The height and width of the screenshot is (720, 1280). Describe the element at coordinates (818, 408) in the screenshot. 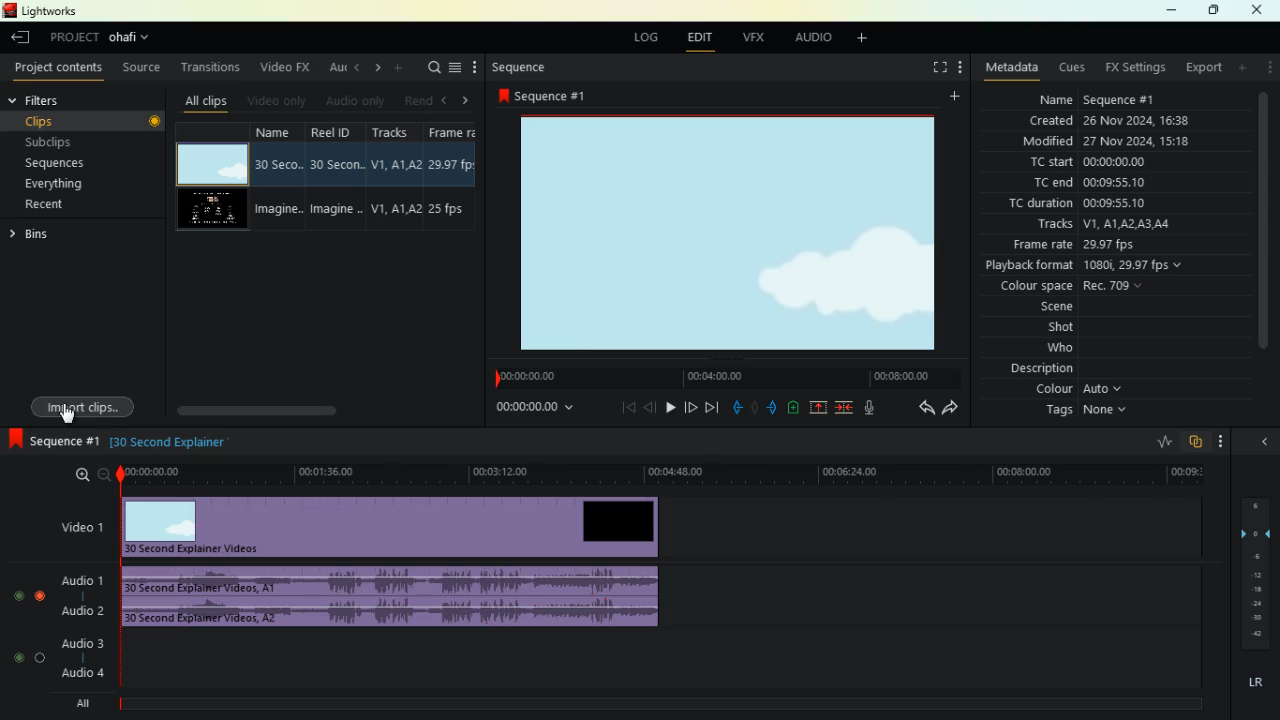

I see `up` at that location.